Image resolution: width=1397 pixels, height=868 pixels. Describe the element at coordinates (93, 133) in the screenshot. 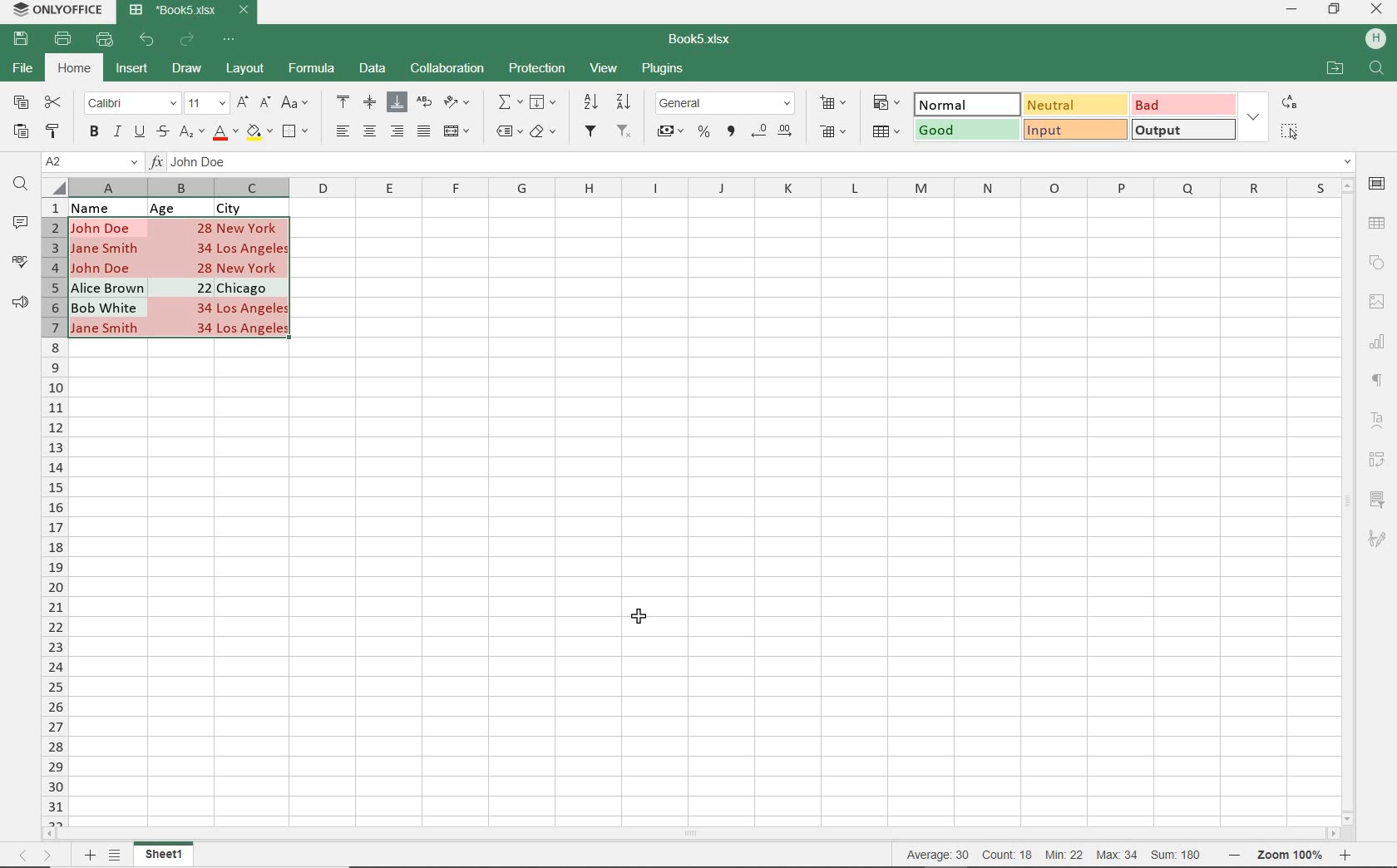

I see `BOLD` at that location.